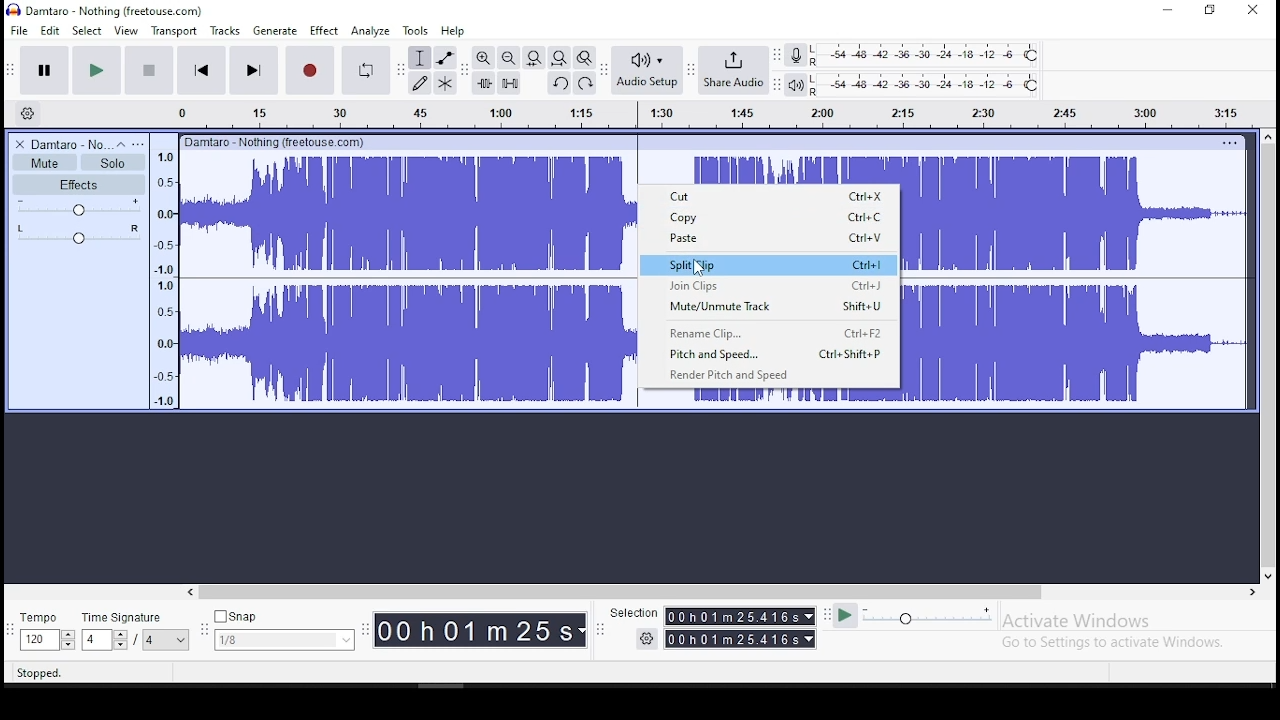  Describe the element at coordinates (44, 162) in the screenshot. I see `mute` at that location.